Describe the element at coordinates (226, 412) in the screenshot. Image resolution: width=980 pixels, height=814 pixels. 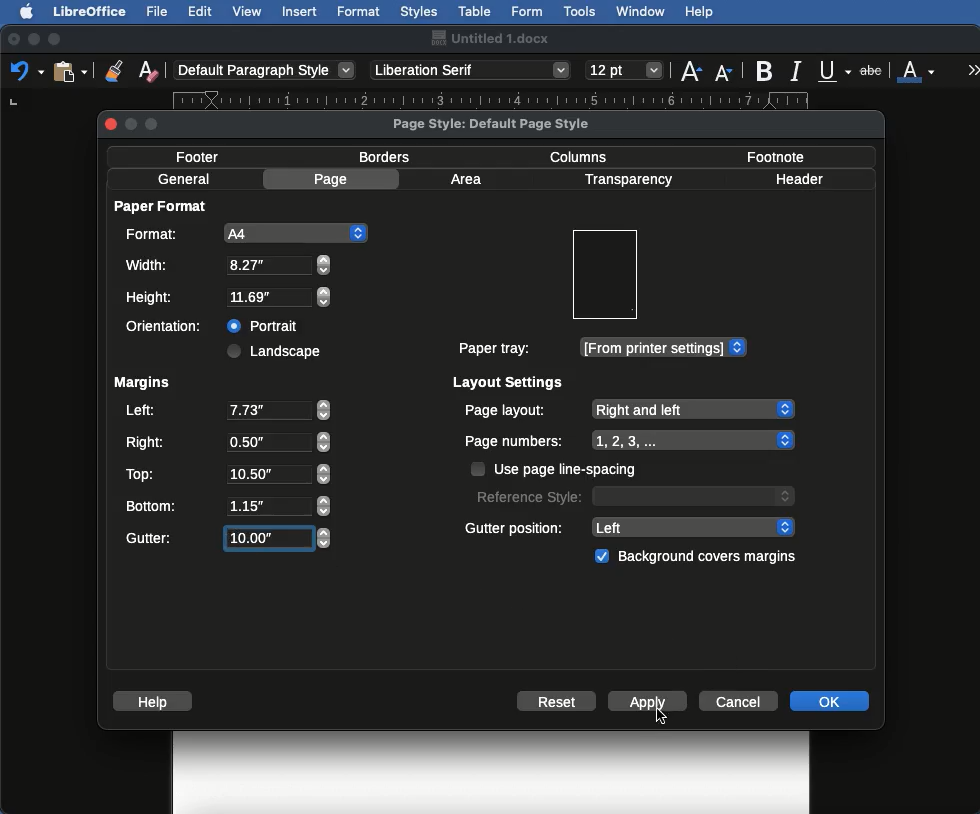
I see `Left` at that location.